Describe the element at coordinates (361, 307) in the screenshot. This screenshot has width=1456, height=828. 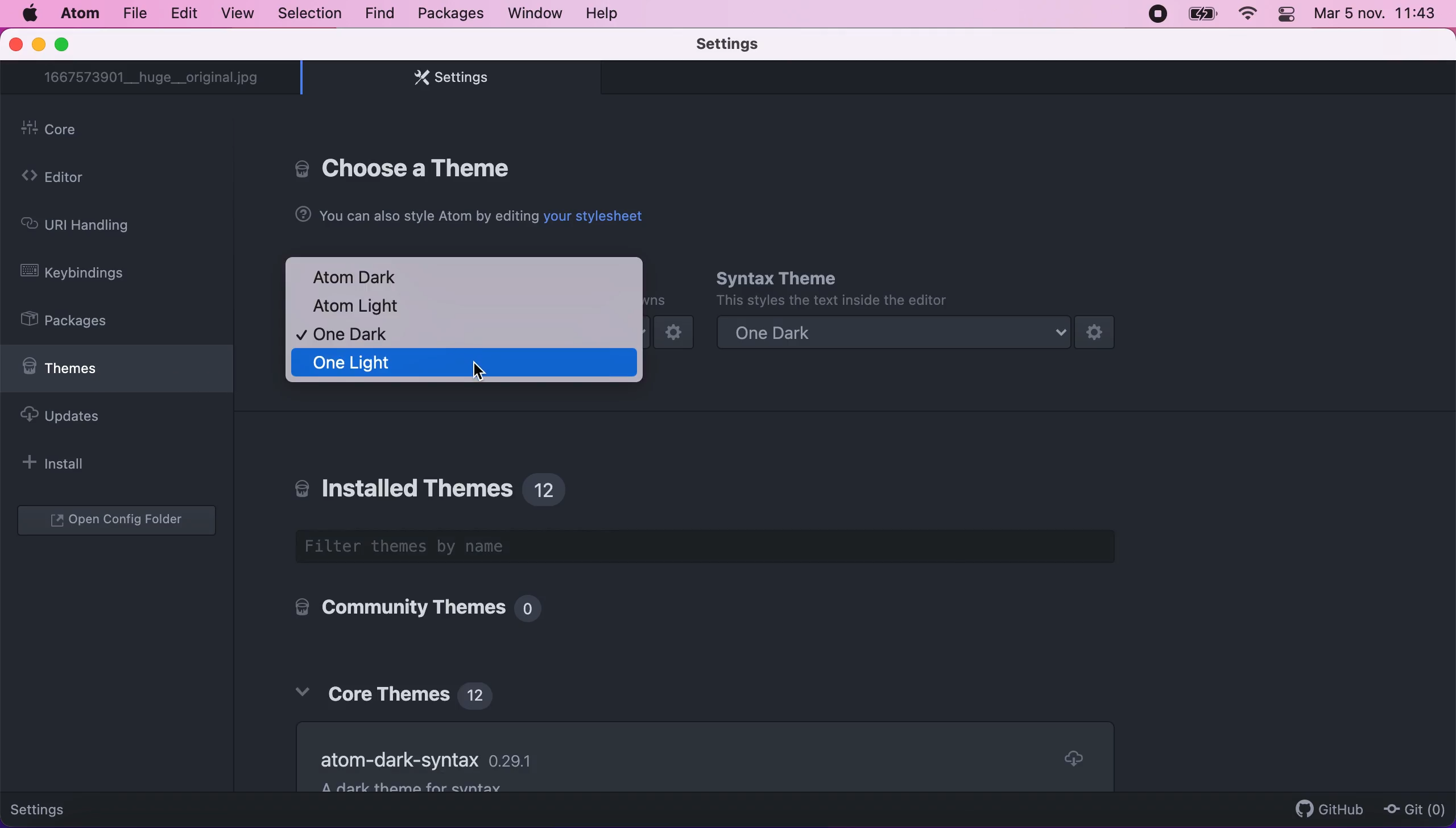
I see `atom light` at that location.